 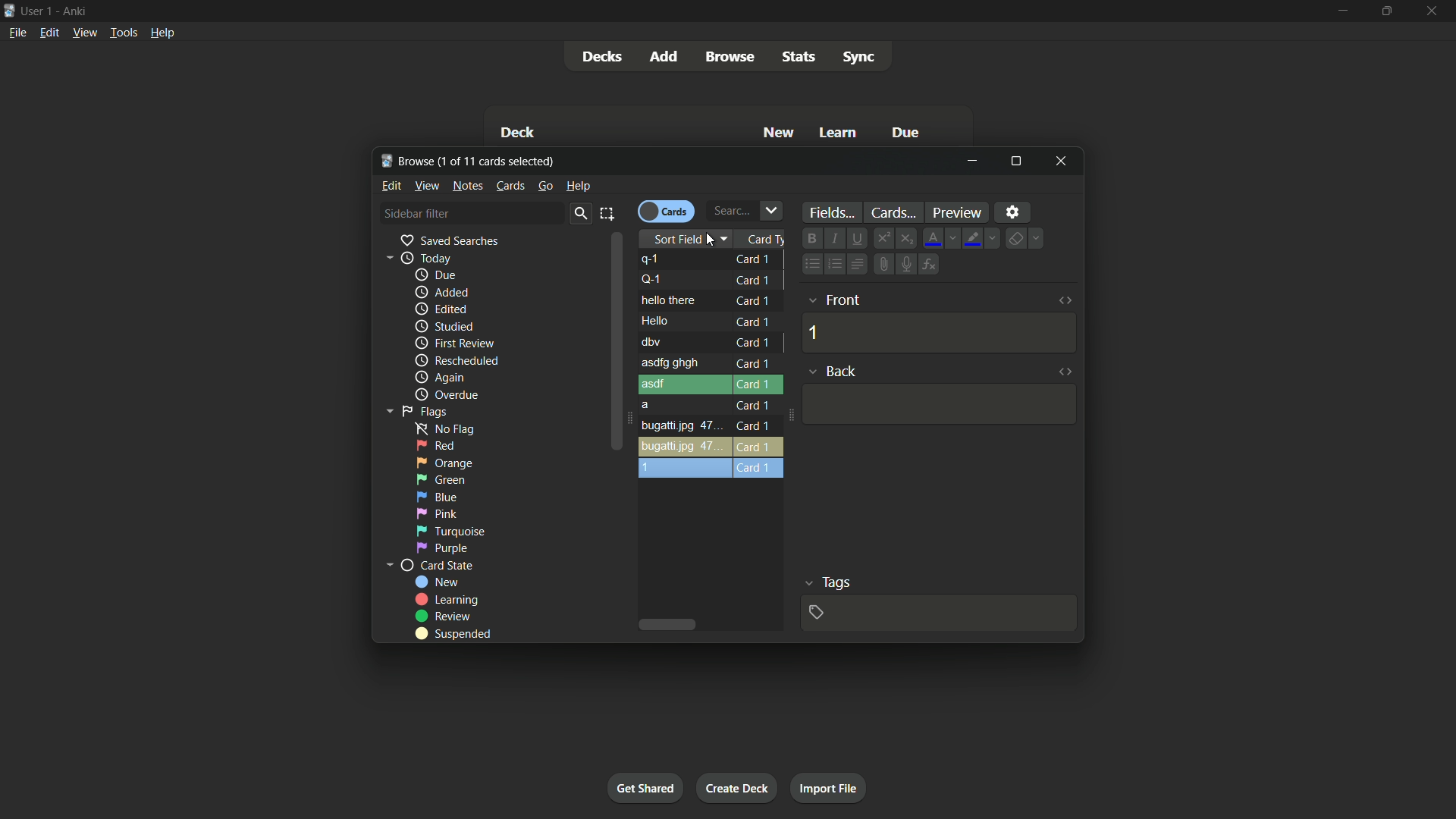 I want to click on edit, so click(x=391, y=185).